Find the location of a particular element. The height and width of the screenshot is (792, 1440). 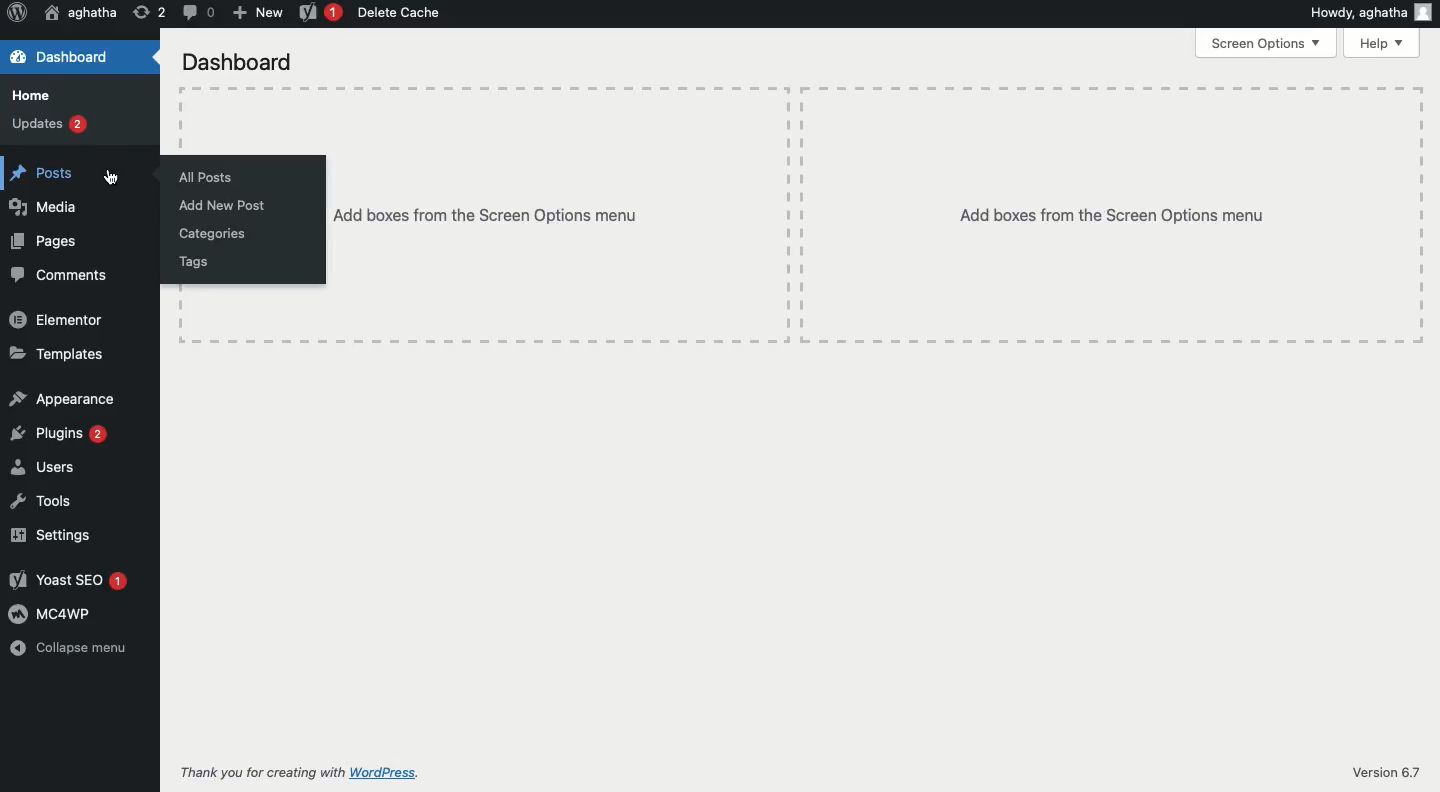

Help is located at coordinates (1383, 42).